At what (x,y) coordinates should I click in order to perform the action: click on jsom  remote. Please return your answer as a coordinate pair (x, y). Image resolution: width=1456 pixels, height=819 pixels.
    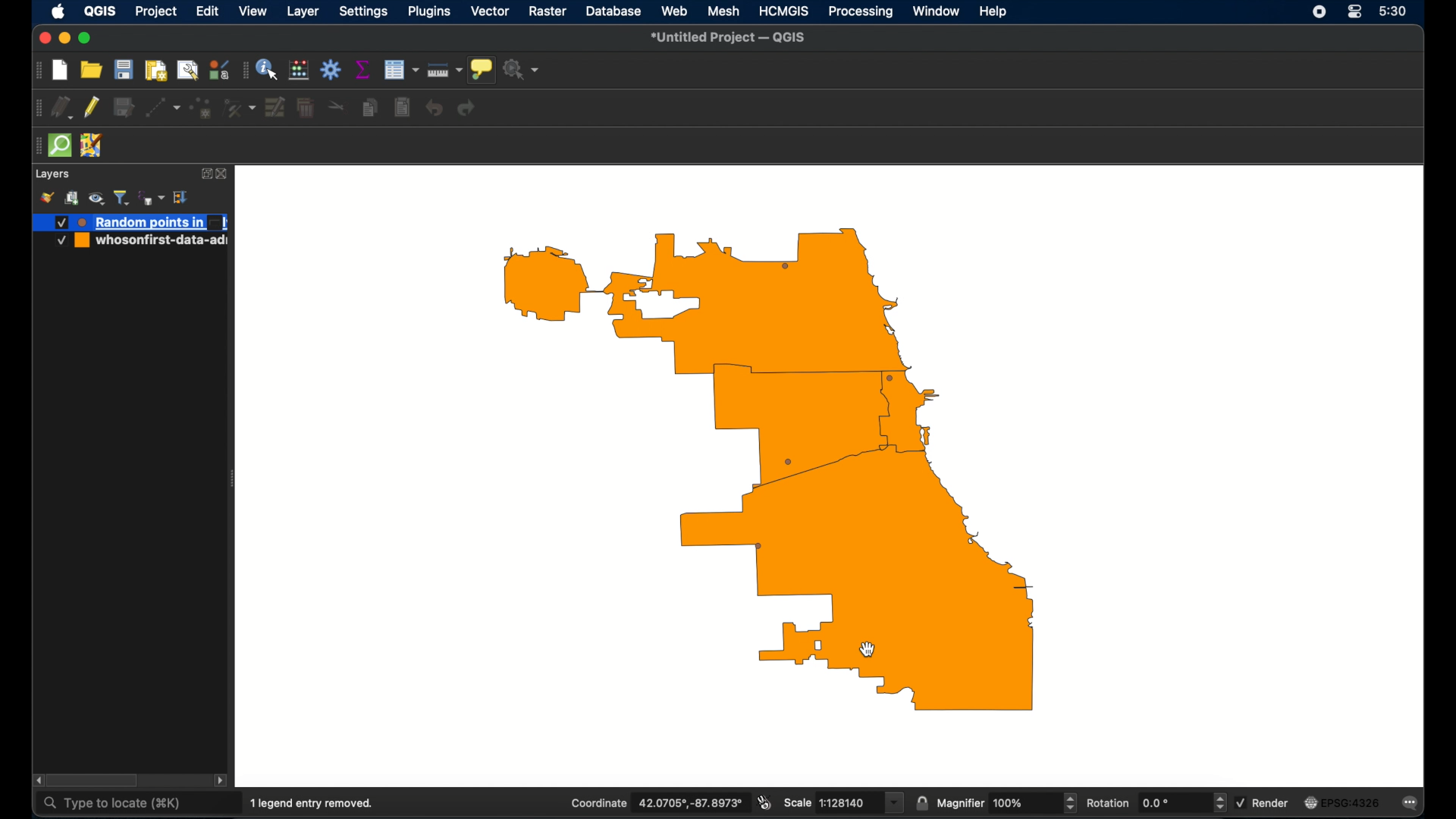
    Looking at the image, I should click on (92, 146).